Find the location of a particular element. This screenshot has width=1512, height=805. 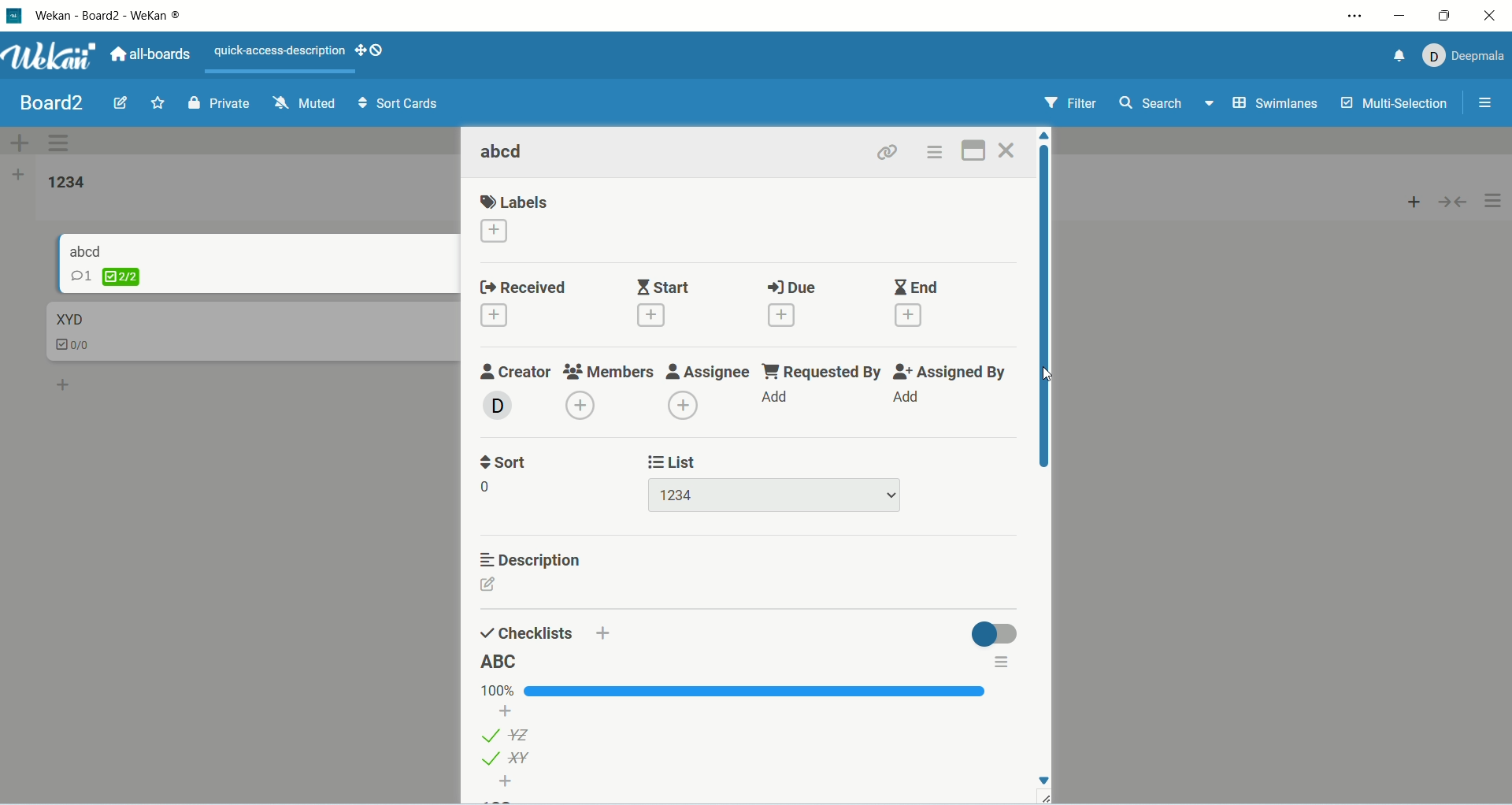

add is located at coordinates (683, 405).